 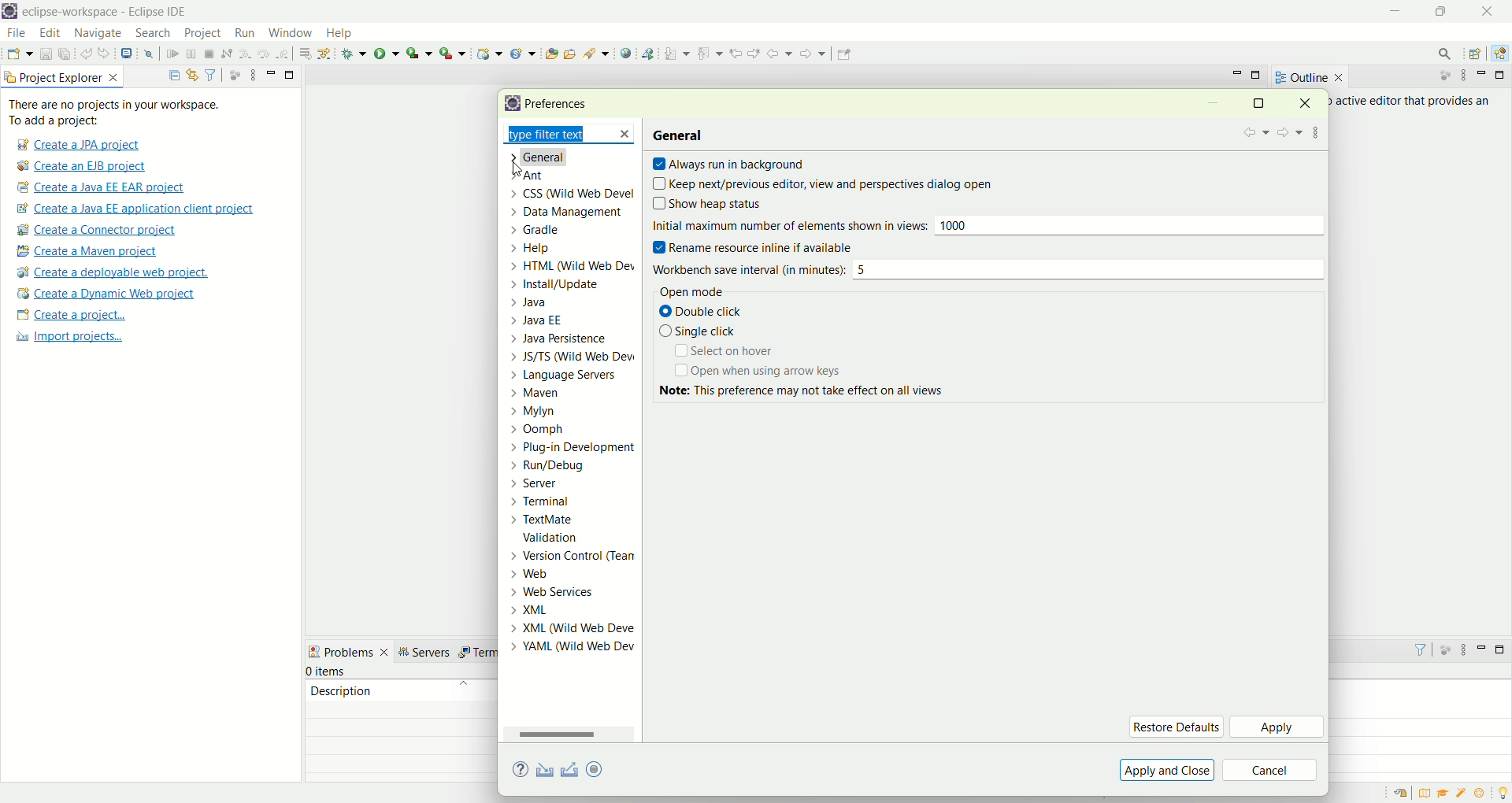 I want to click on rename resource inline if available, so click(x=766, y=248).